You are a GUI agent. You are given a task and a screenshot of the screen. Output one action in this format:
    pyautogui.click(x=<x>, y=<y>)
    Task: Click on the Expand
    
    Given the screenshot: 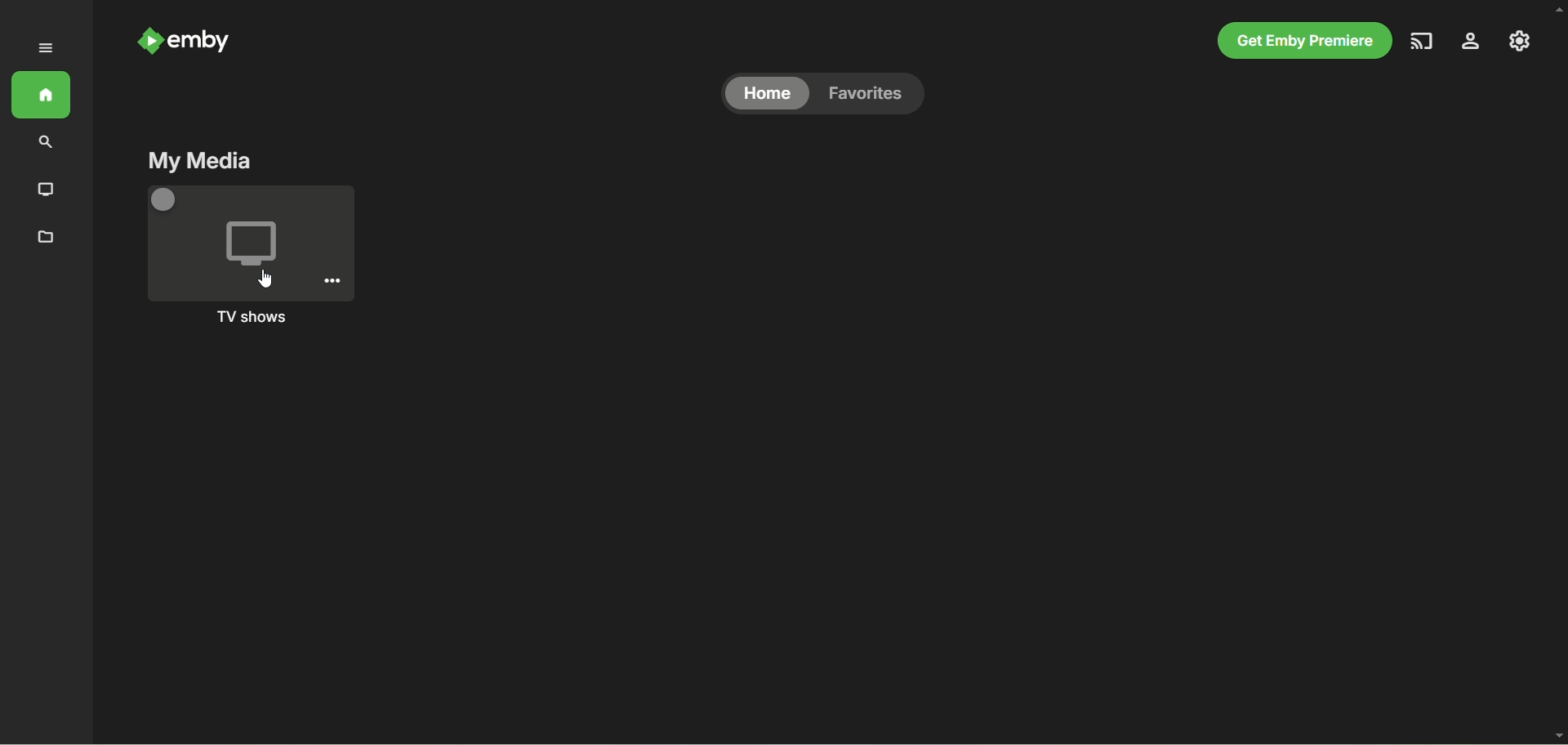 What is the action you would take?
    pyautogui.click(x=45, y=48)
    